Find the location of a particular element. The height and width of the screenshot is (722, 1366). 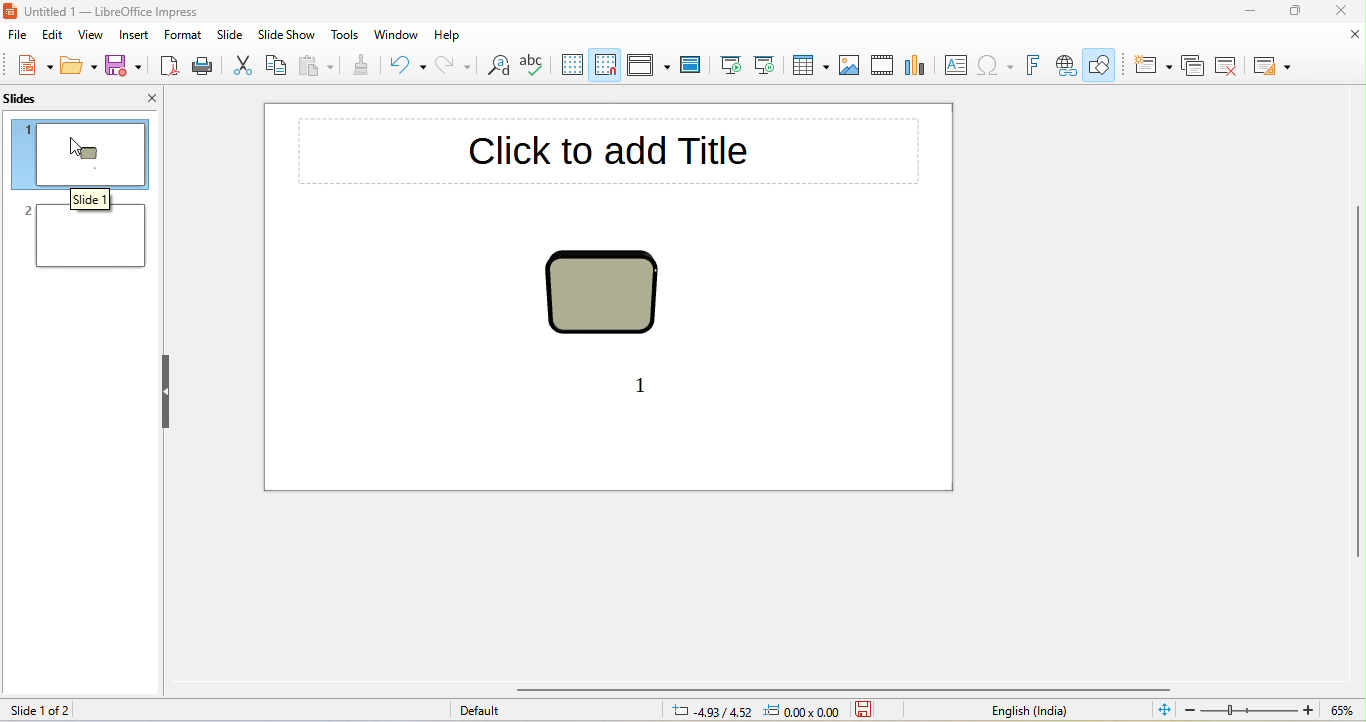

duplicate slide is located at coordinates (1194, 65).